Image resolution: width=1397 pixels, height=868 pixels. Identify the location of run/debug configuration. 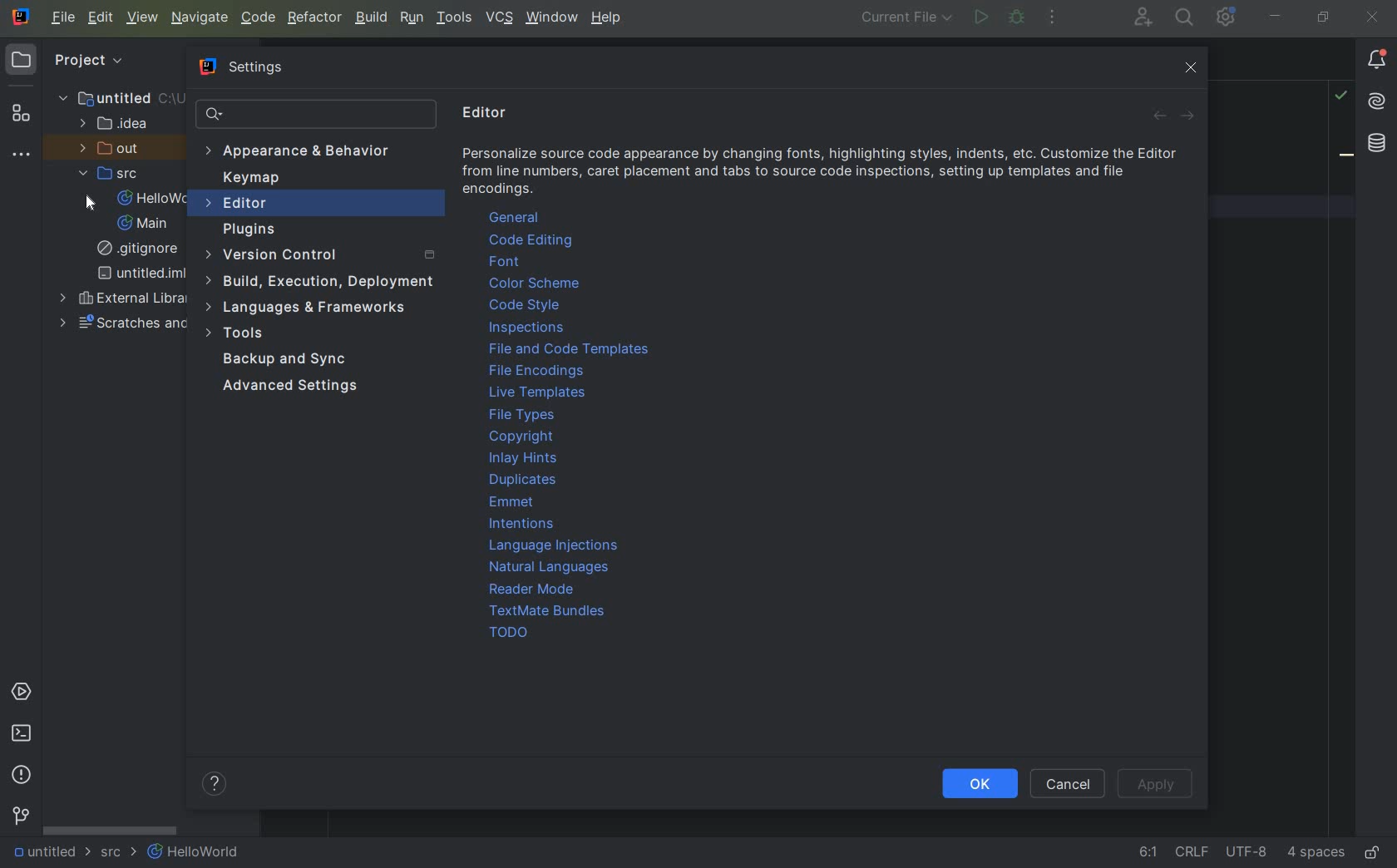
(908, 19).